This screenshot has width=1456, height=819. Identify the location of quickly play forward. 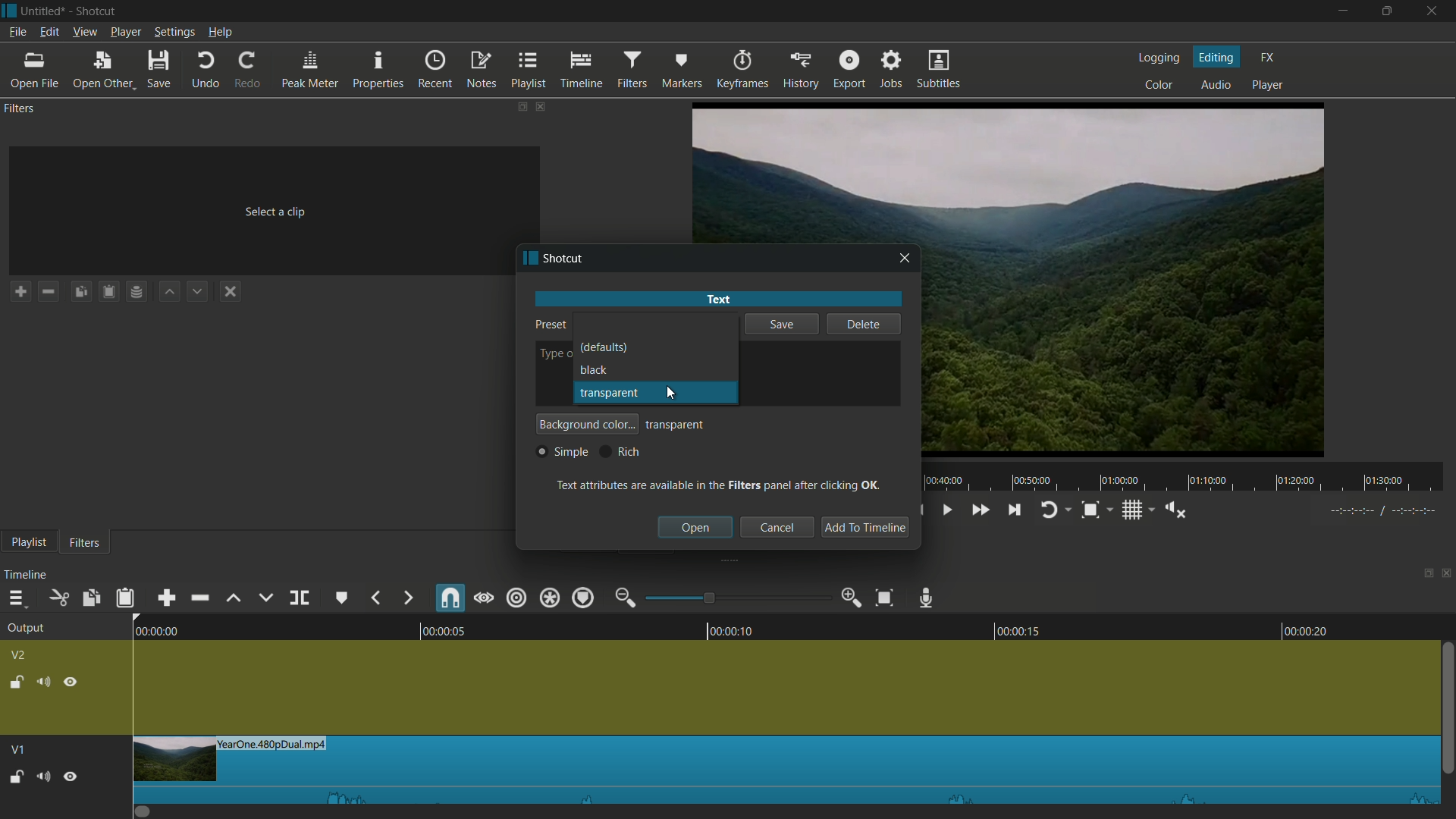
(977, 509).